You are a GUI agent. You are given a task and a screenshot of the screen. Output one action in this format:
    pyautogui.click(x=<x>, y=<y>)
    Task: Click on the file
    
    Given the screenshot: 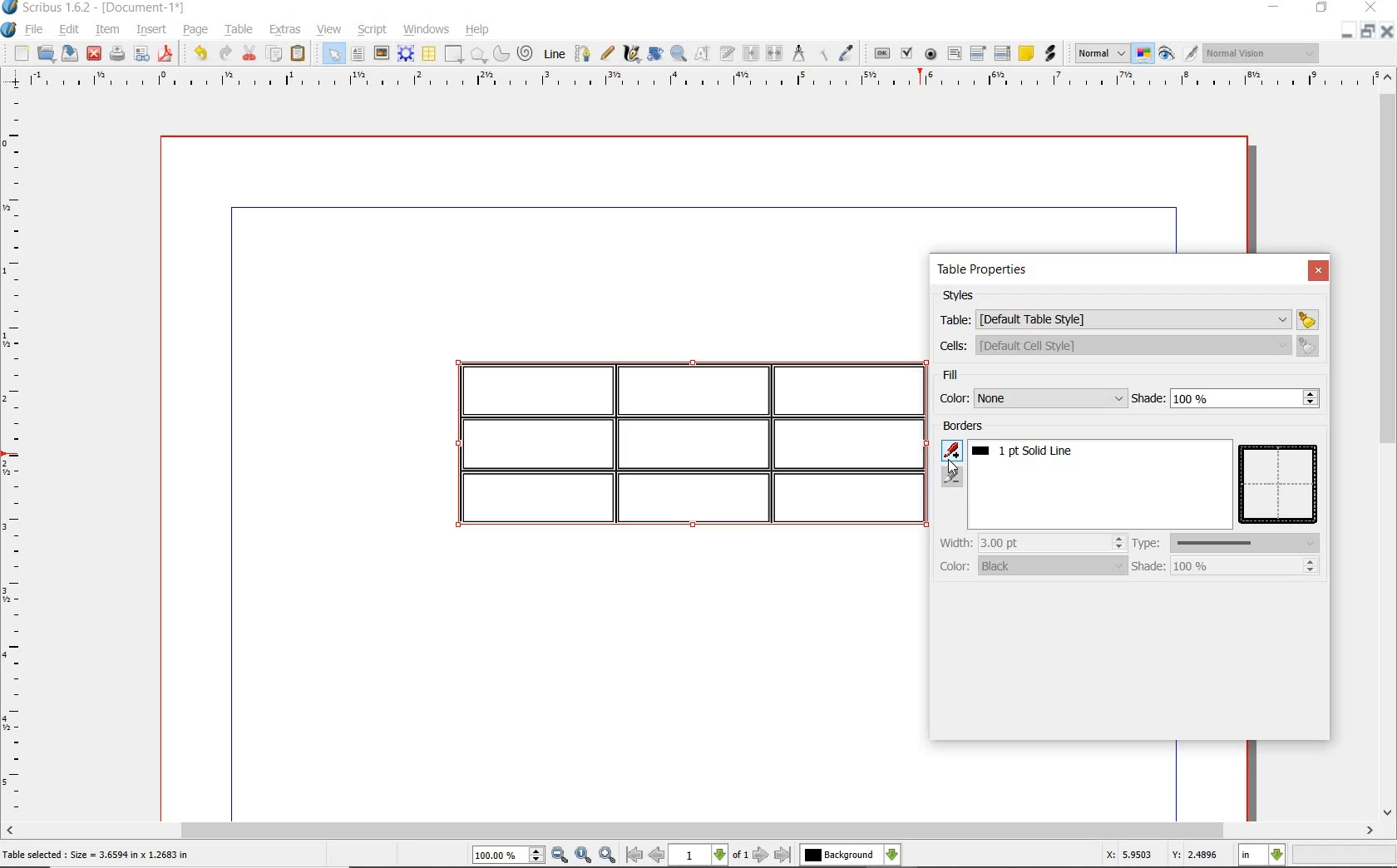 What is the action you would take?
    pyautogui.click(x=36, y=31)
    